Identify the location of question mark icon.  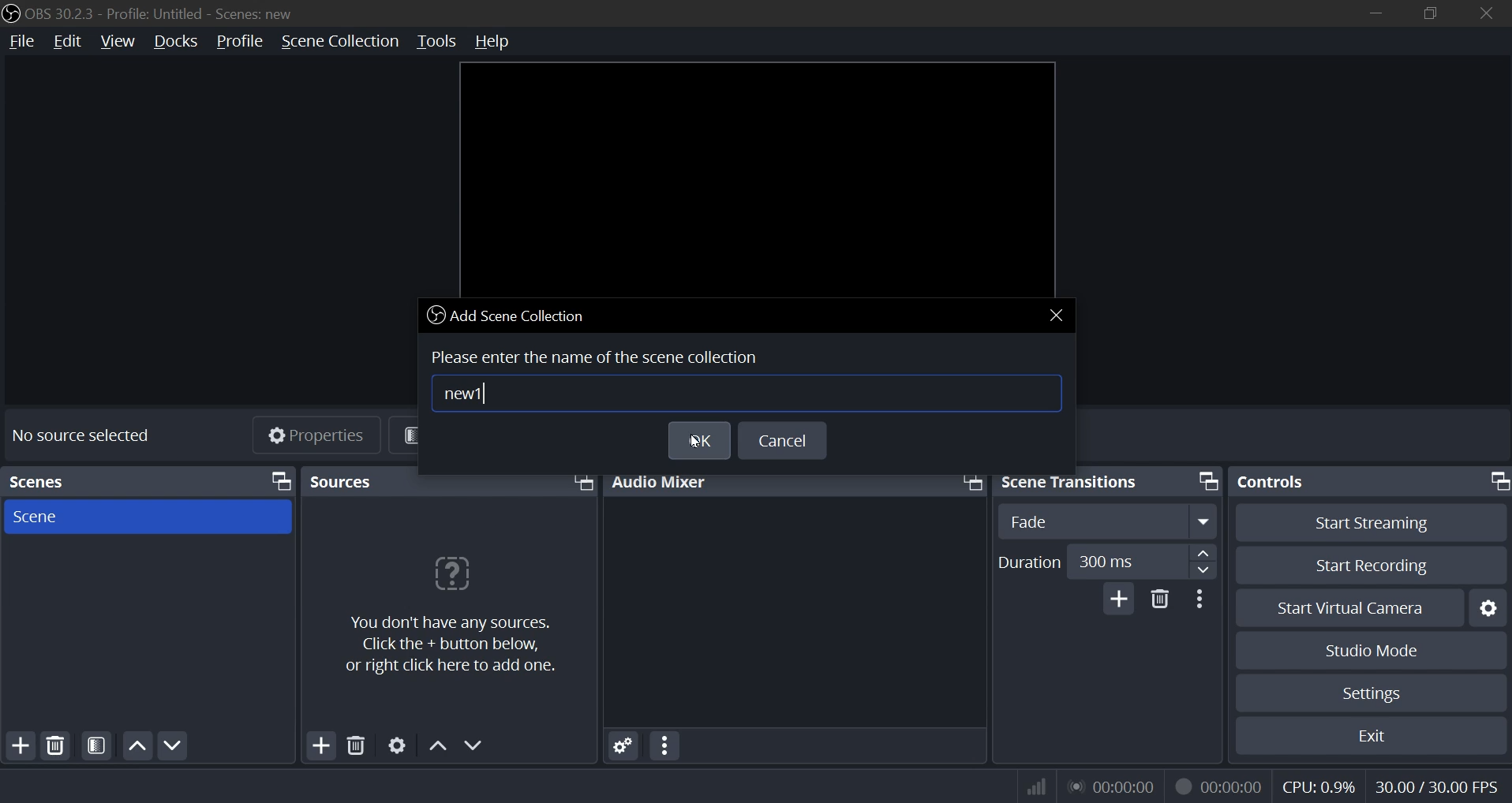
(451, 576).